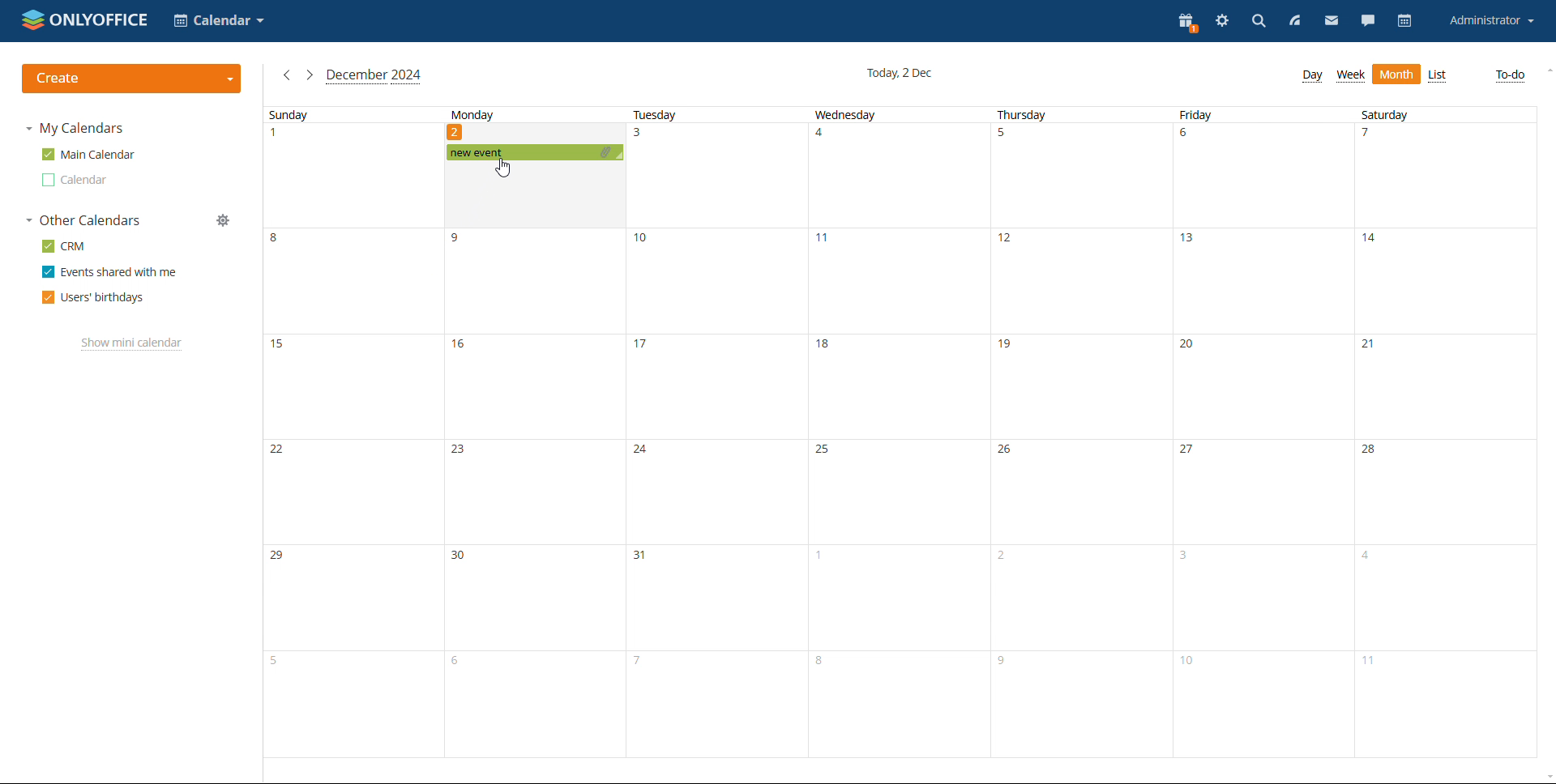 Image resolution: width=1556 pixels, height=784 pixels. I want to click on new event, so click(536, 151).